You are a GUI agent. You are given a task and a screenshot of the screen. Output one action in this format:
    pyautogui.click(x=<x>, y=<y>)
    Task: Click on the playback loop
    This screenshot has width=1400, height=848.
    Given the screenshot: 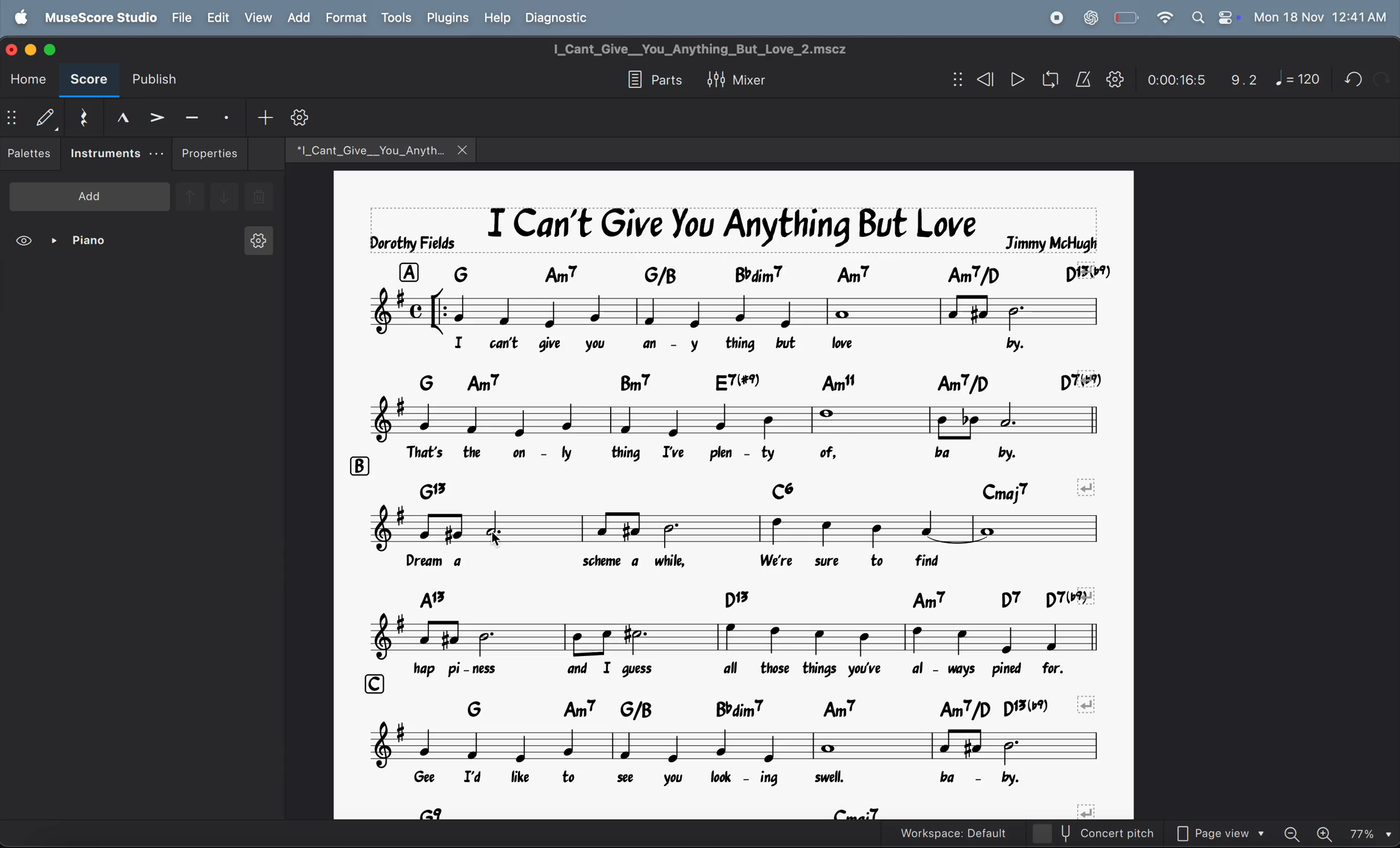 What is the action you would take?
    pyautogui.click(x=1048, y=80)
    